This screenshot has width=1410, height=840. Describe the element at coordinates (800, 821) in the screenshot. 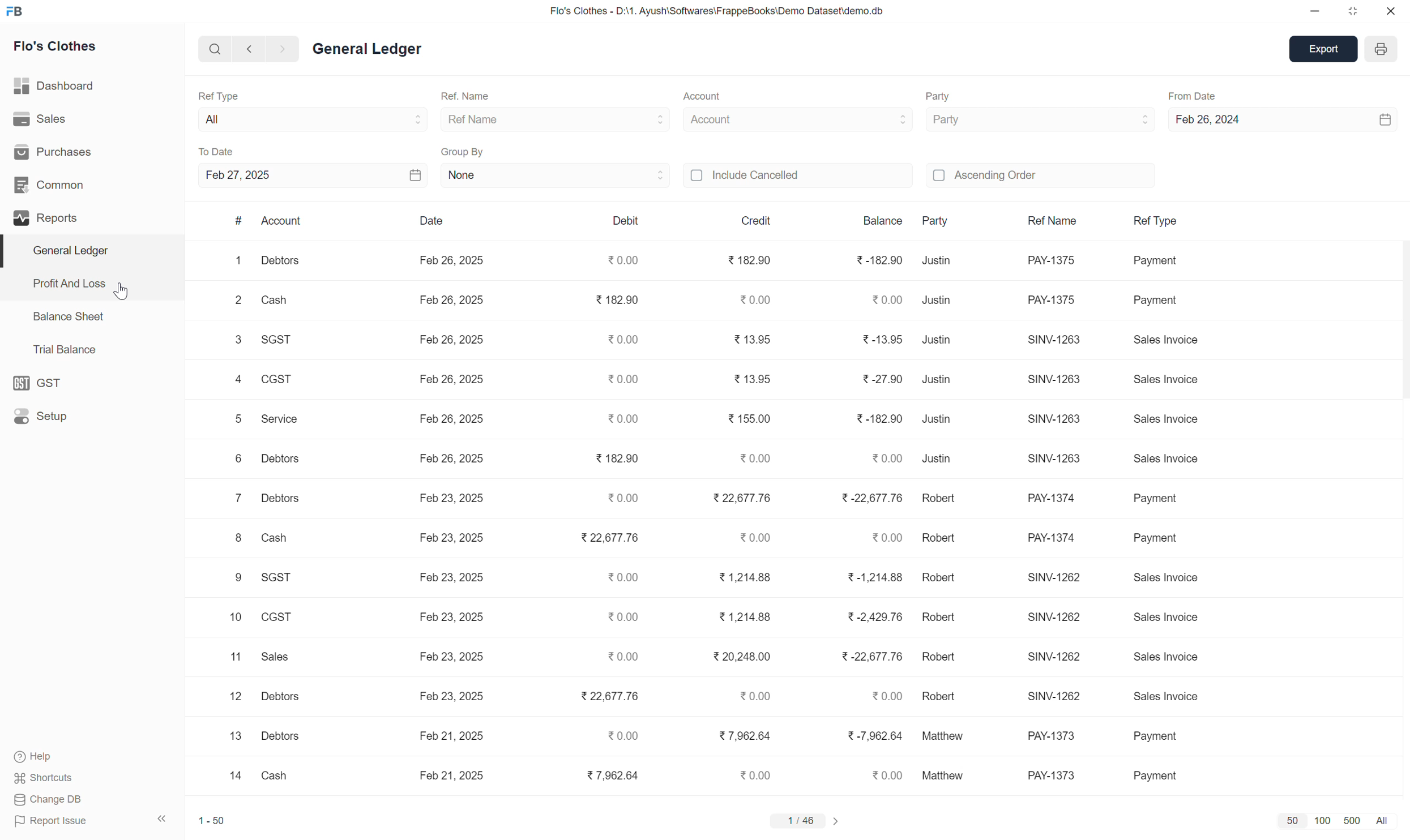

I see `1/46 ` at that location.